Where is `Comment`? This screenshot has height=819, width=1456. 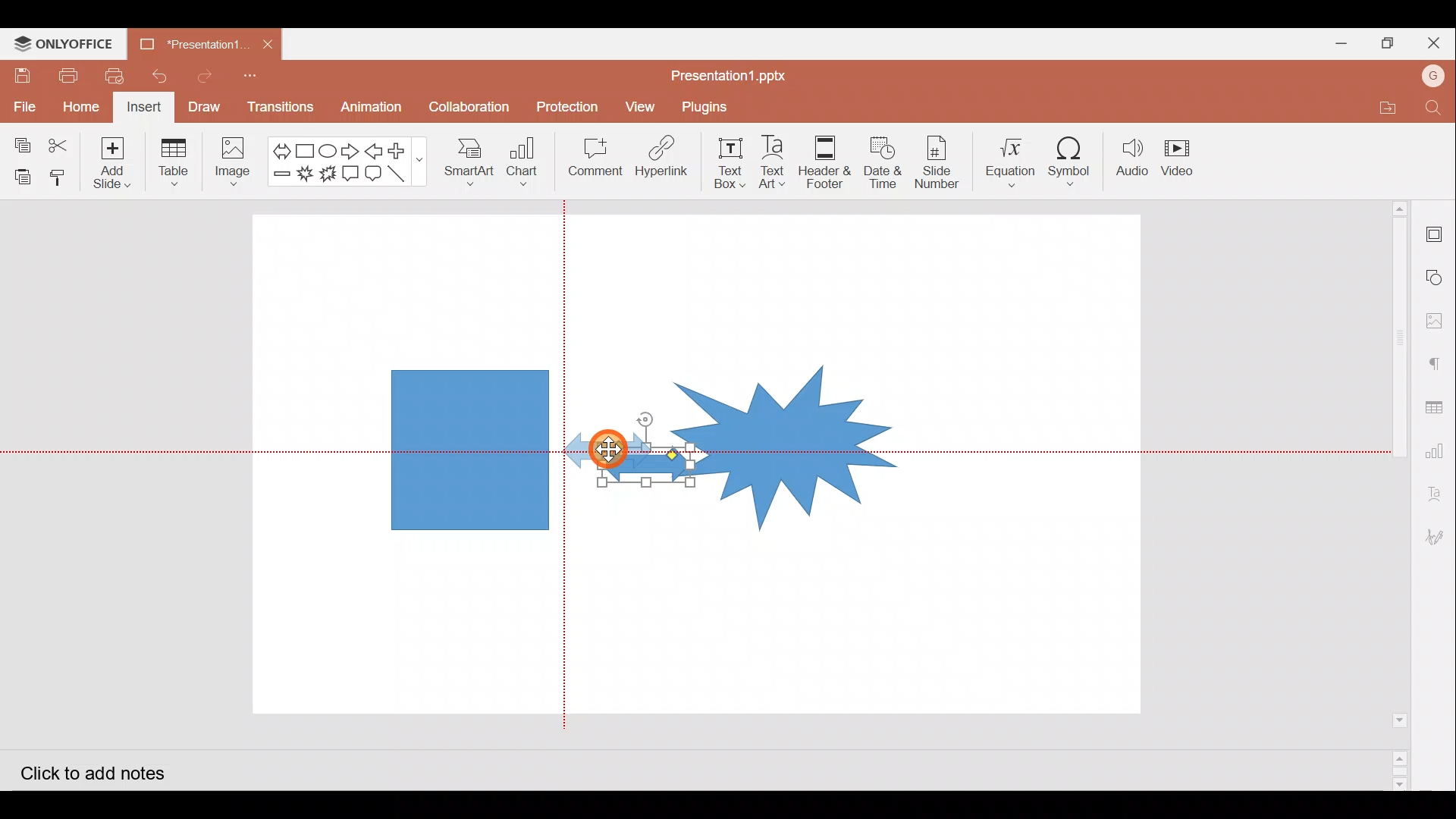
Comment is located at coordinates (596, 160).